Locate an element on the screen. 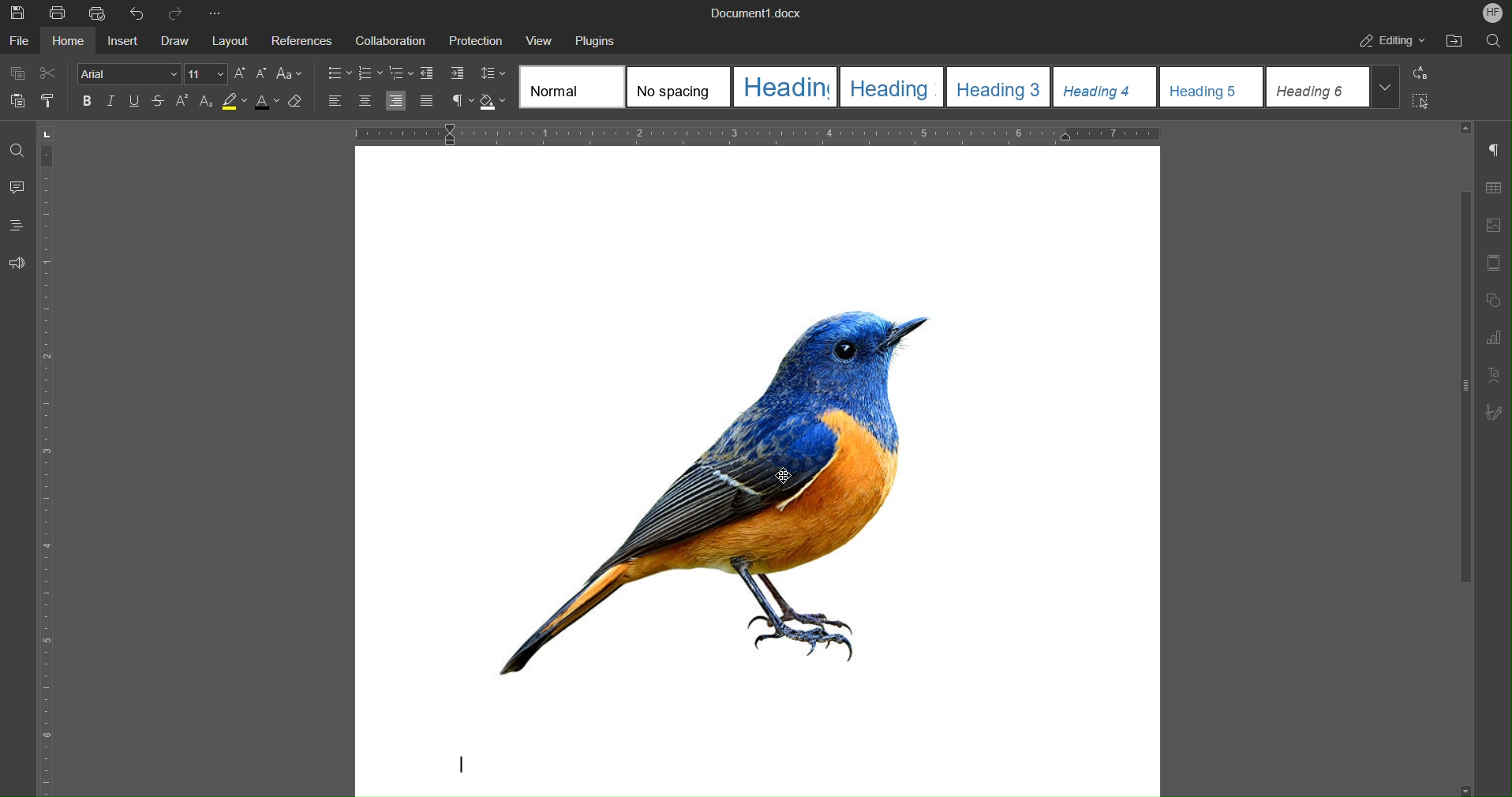 This screenshot has height=797, width=1512. Redo is located at coordinates (177, 13).